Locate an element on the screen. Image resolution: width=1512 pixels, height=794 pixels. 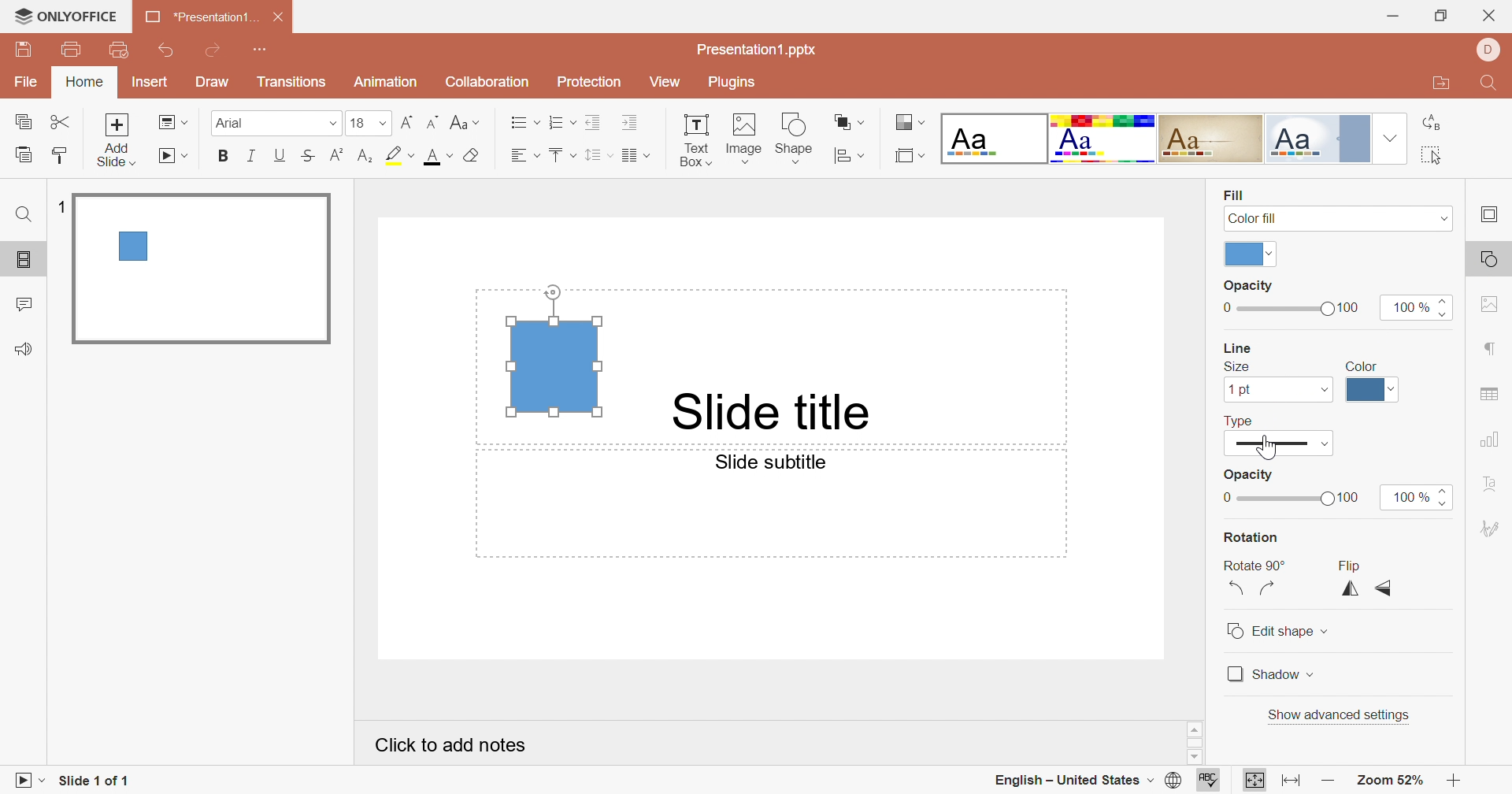
Insert is located at coordinates (149, 83).